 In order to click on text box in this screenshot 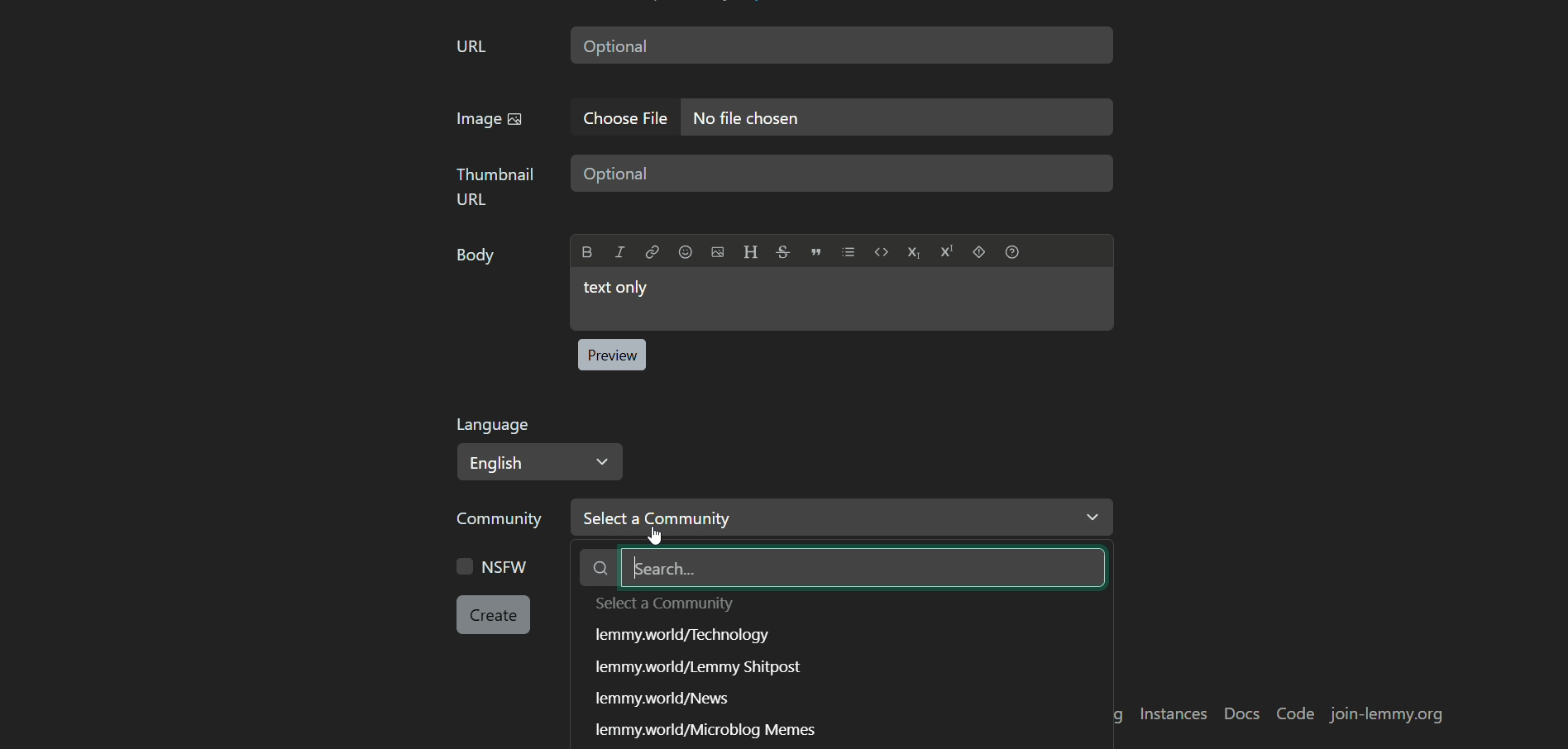, I will do `click(841, 299)`.